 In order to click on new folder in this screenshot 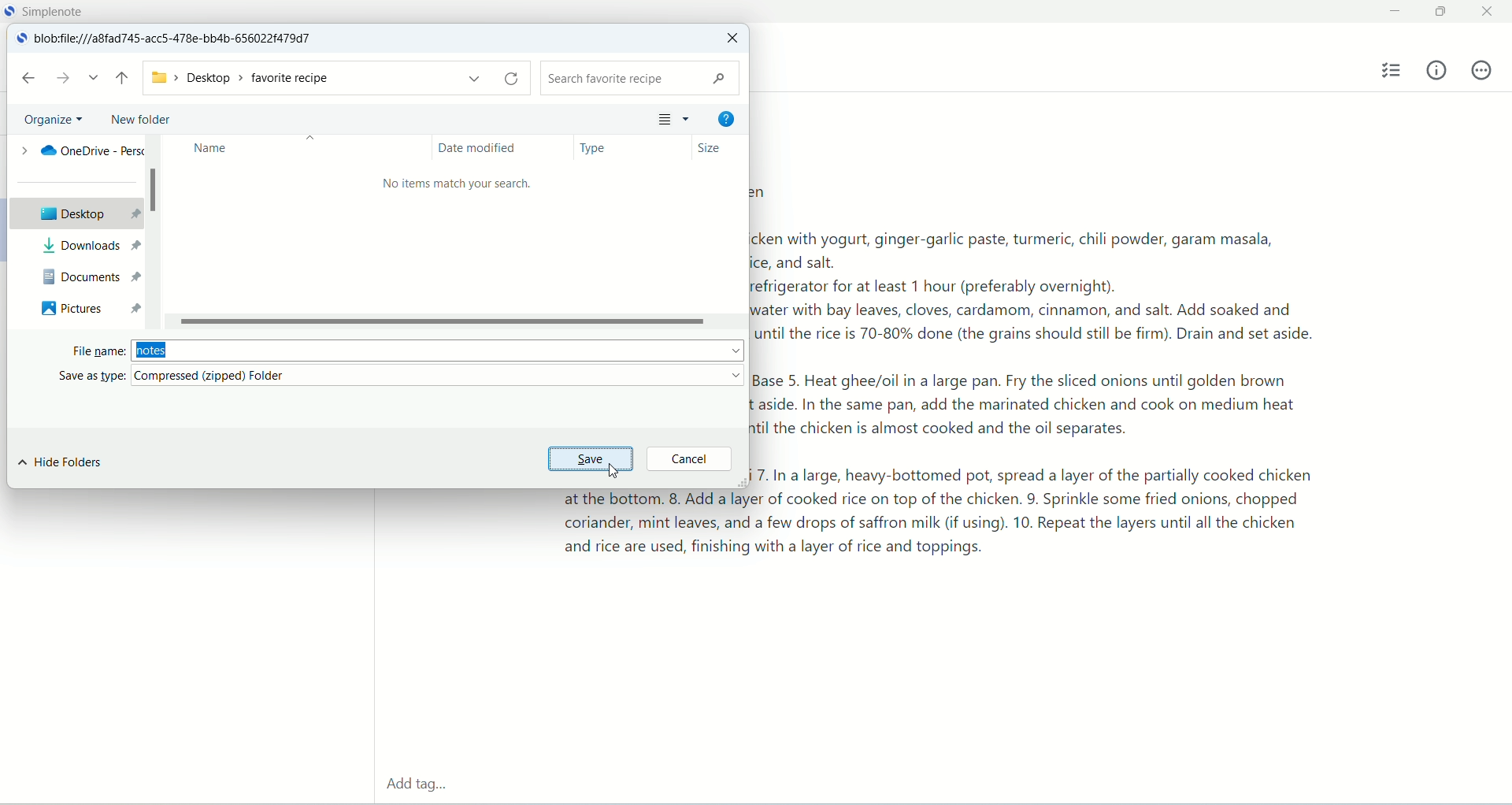, I will do `click(139, 120)`.